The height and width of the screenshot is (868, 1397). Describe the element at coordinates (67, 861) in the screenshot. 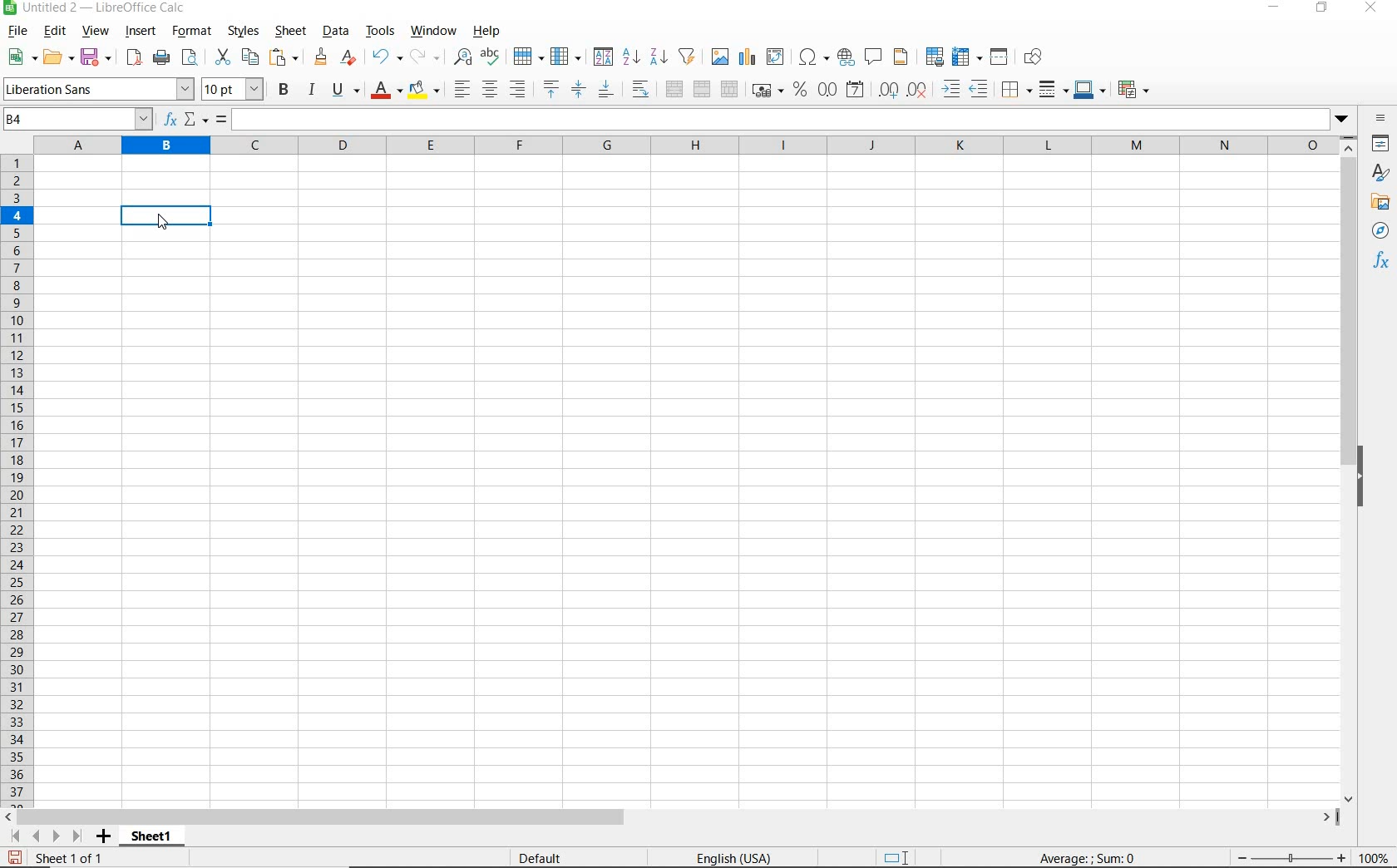

I see `sheet 1 of 1` at that location.